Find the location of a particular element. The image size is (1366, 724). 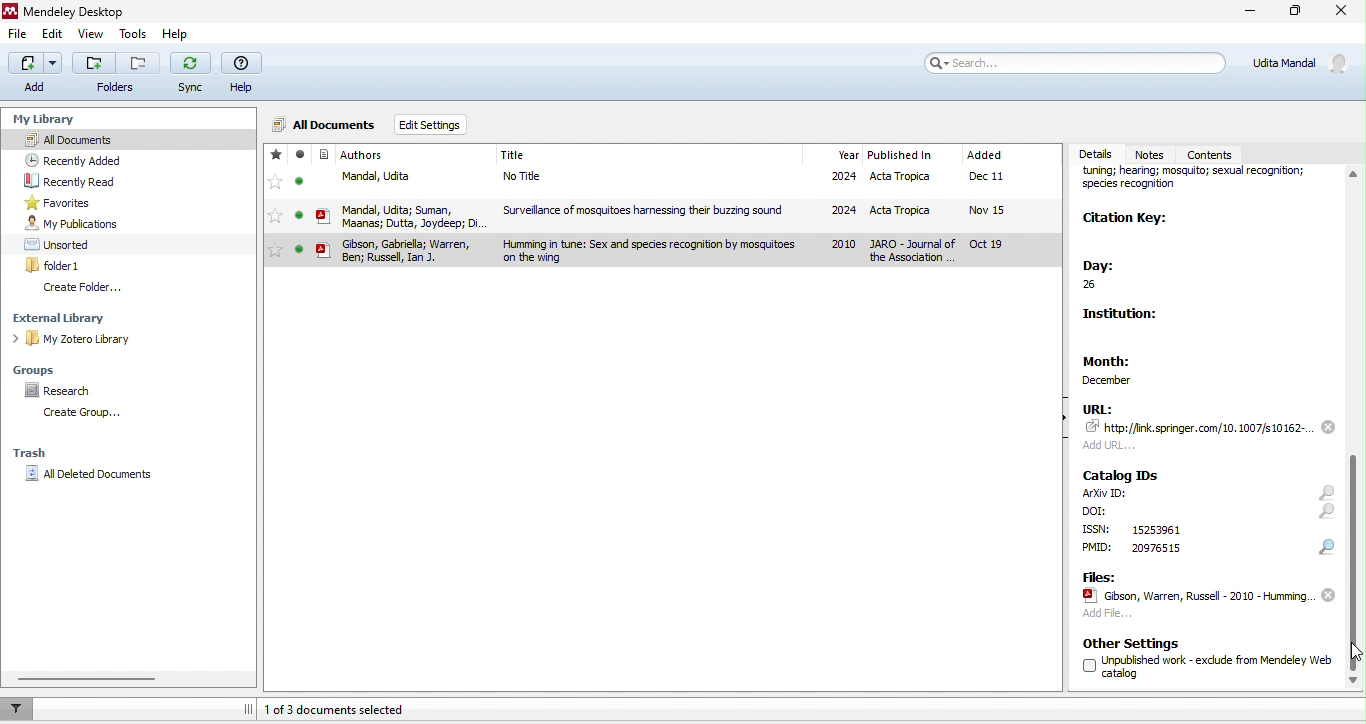

text is located at coordinates (1096, 511).